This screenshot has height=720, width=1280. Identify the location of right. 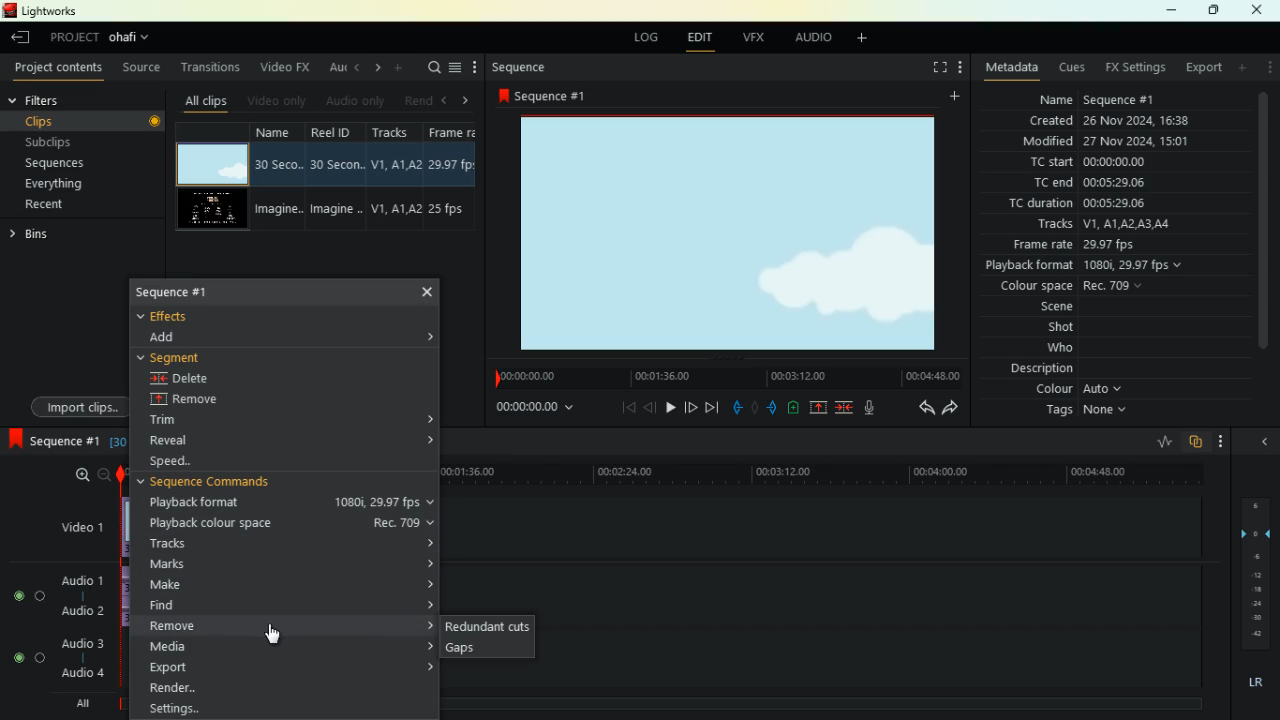
(468, 100).